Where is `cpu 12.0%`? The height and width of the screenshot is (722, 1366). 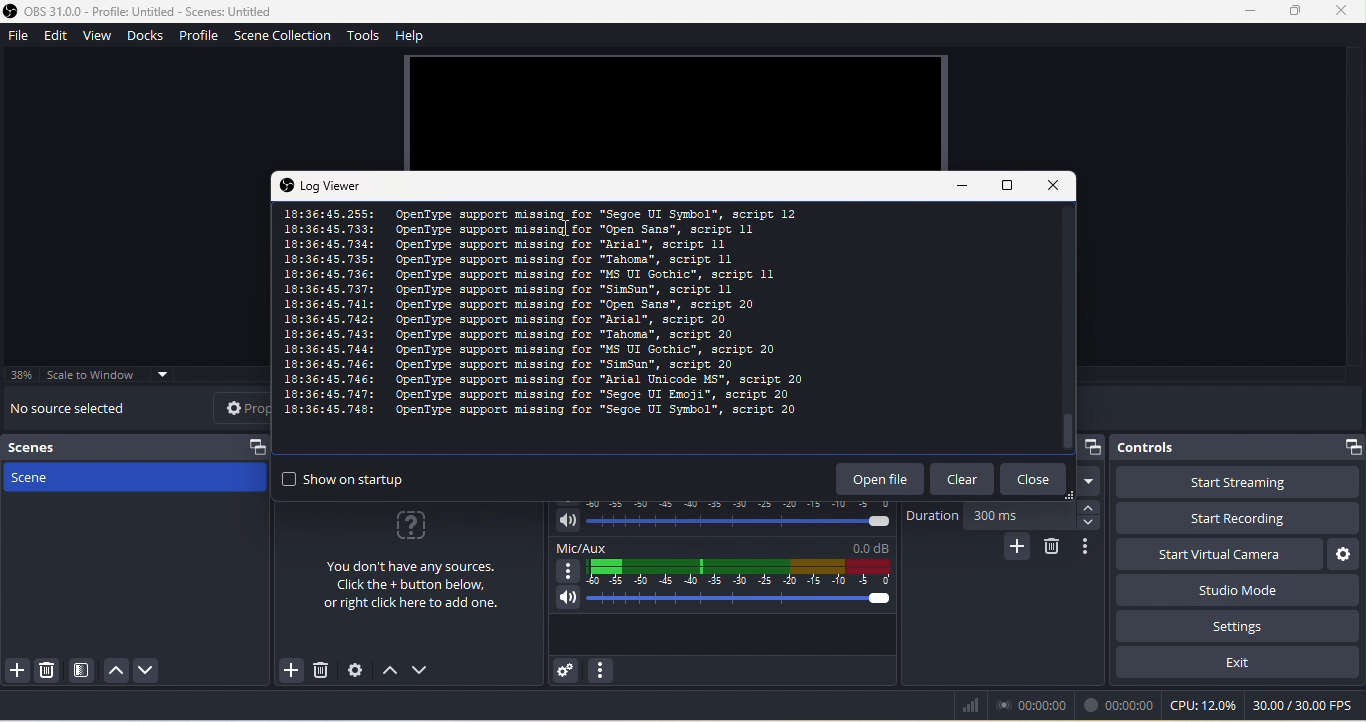 cpu 12.0% is located at coordinates (1207, 706).